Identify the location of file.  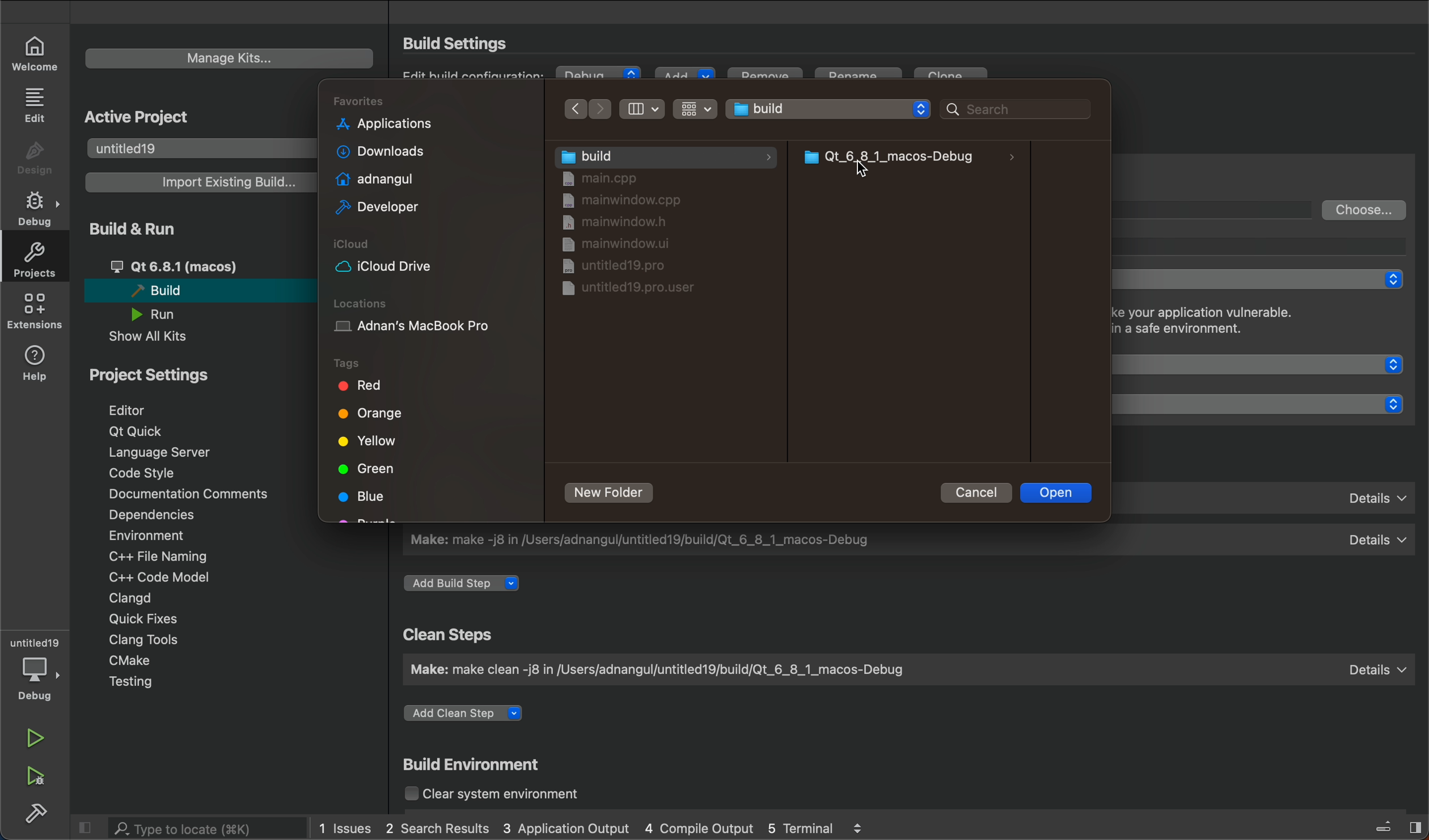
(627, 224).